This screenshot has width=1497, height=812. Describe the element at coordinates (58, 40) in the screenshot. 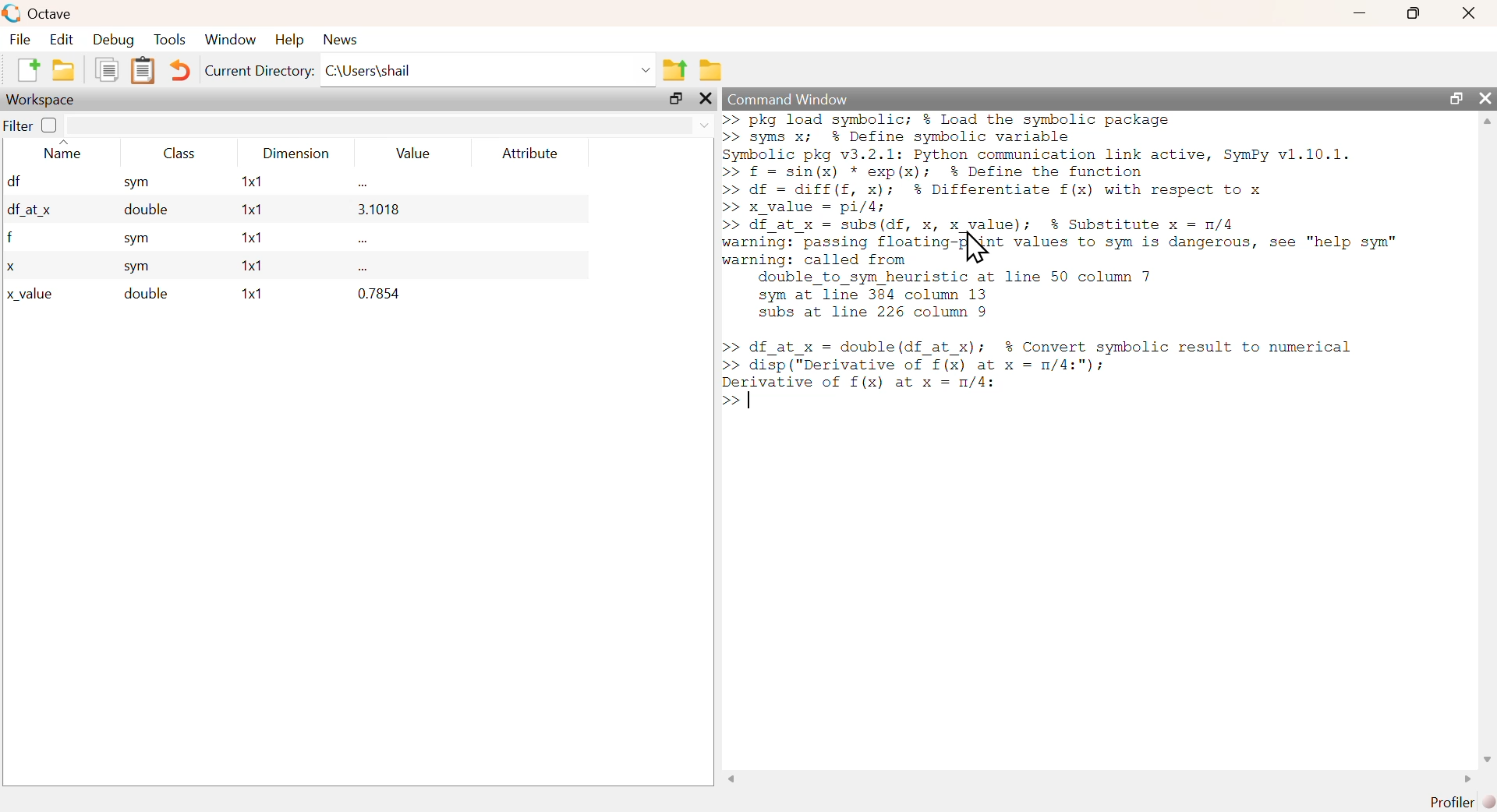

I see `Edit` at that location.